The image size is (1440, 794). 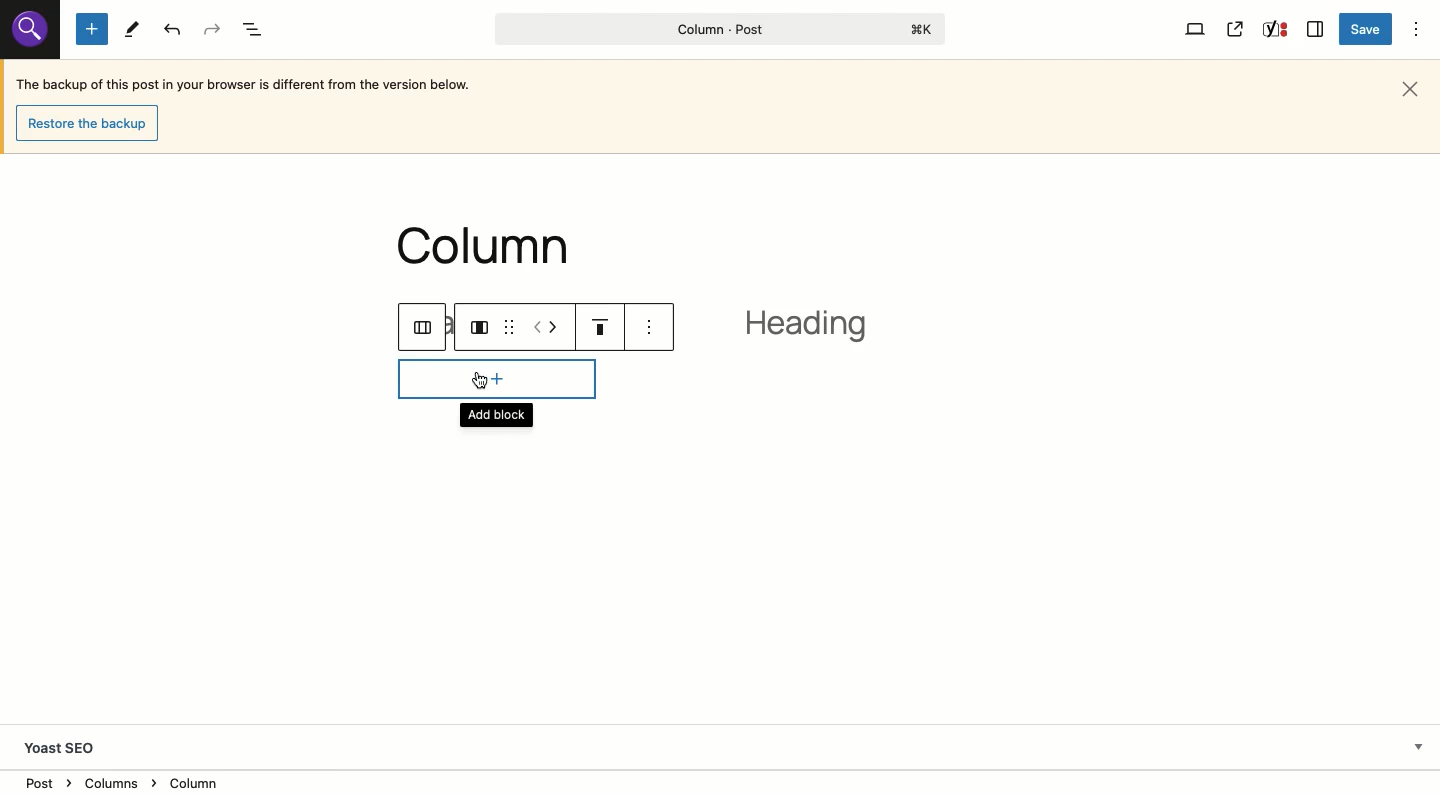 I want to click on Location, so click(x=722, y=782).